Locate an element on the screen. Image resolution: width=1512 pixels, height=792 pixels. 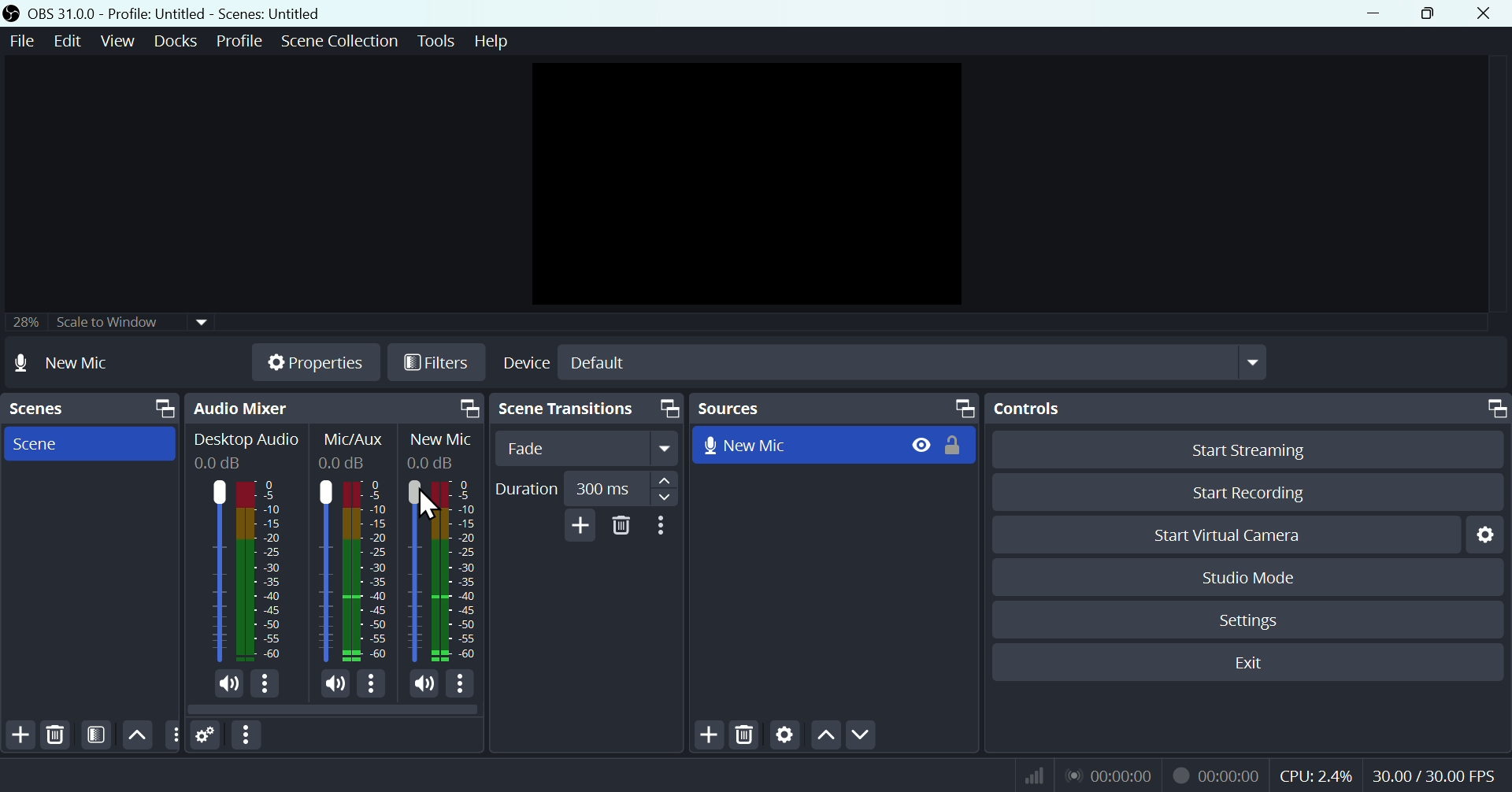
Up is located at coordinates (825, 738).